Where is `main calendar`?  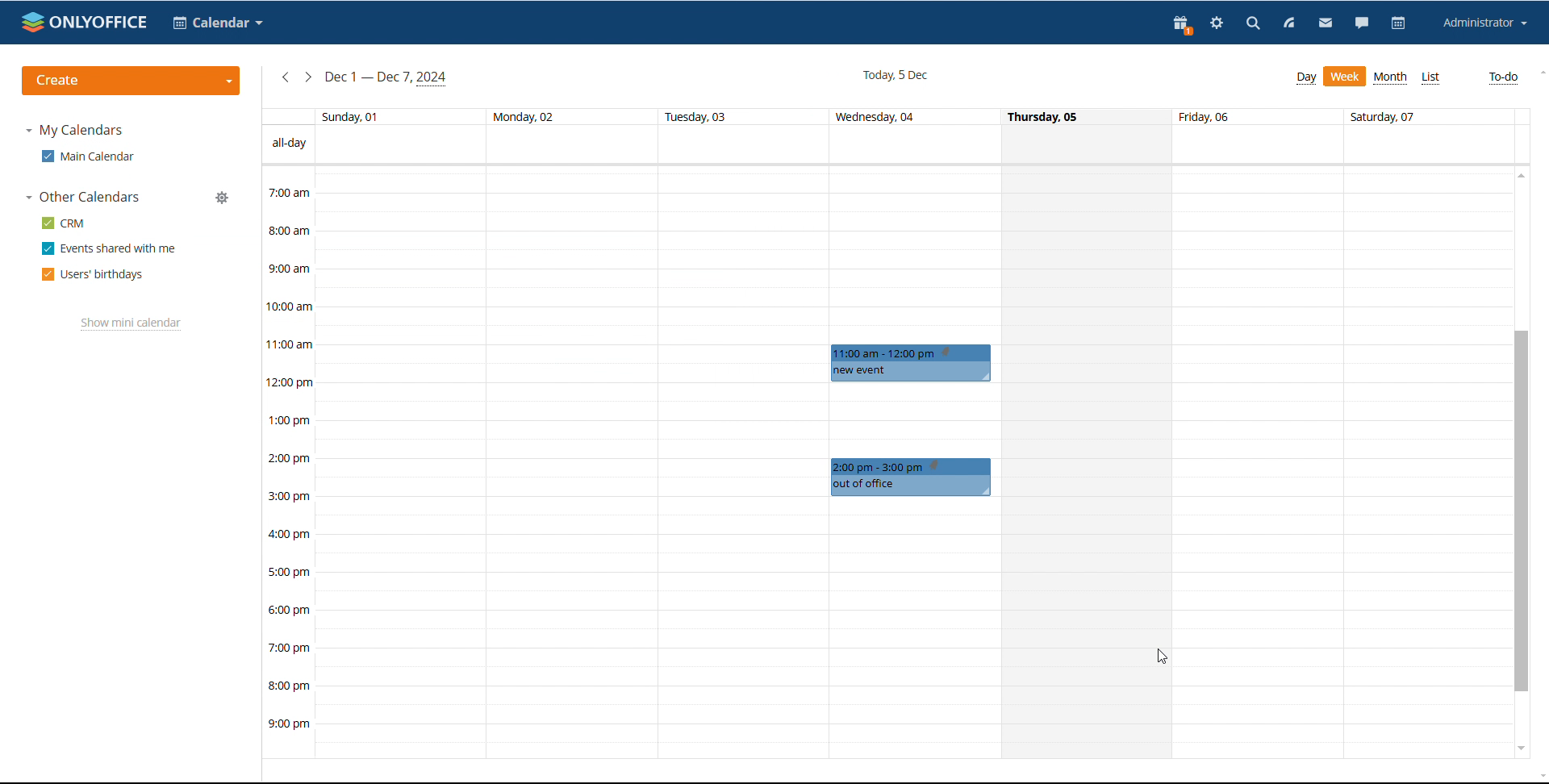 main calendar is located at coordinates (90, 156).